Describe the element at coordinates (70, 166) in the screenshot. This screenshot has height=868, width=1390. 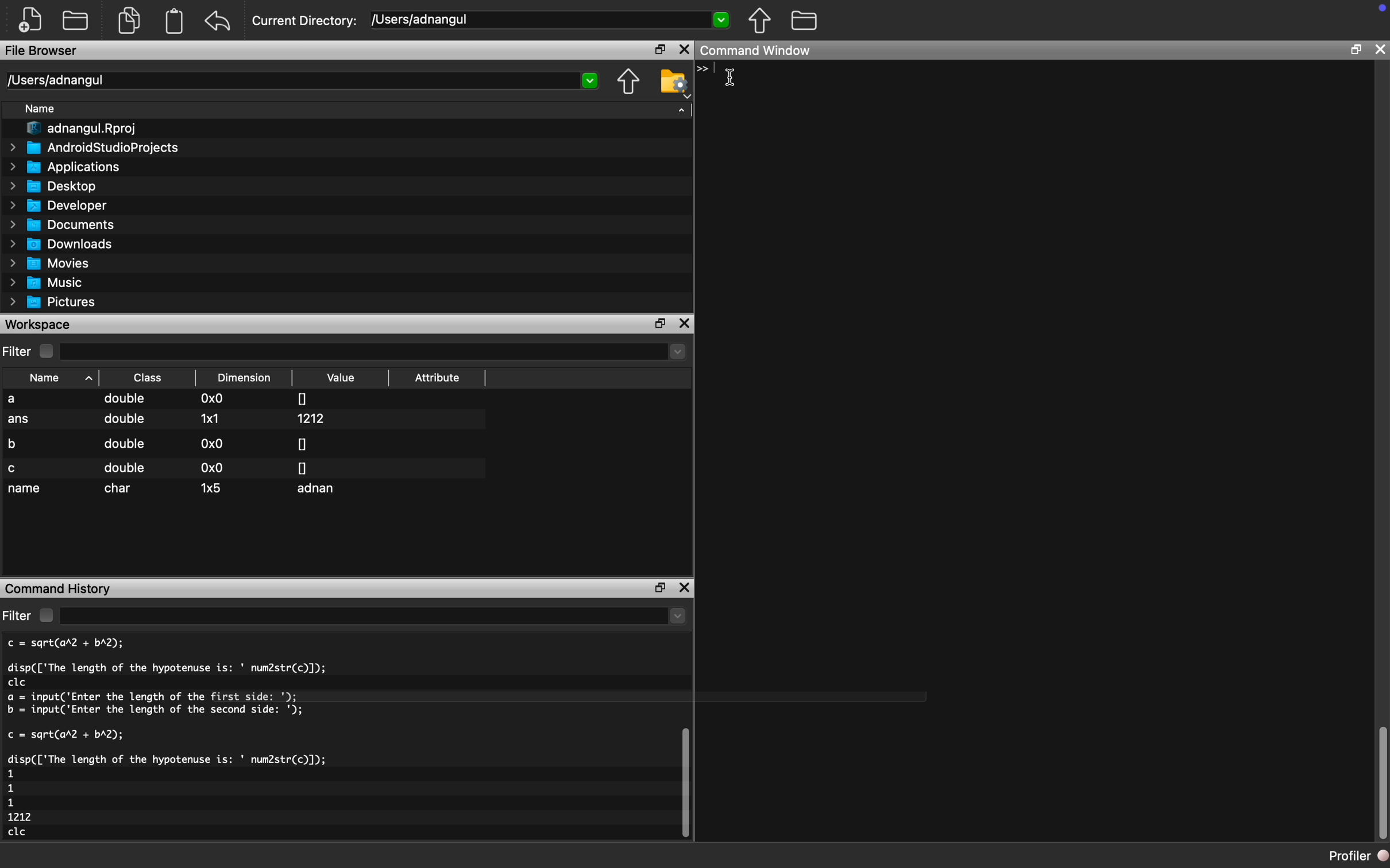
I see ` Applications` at that location.